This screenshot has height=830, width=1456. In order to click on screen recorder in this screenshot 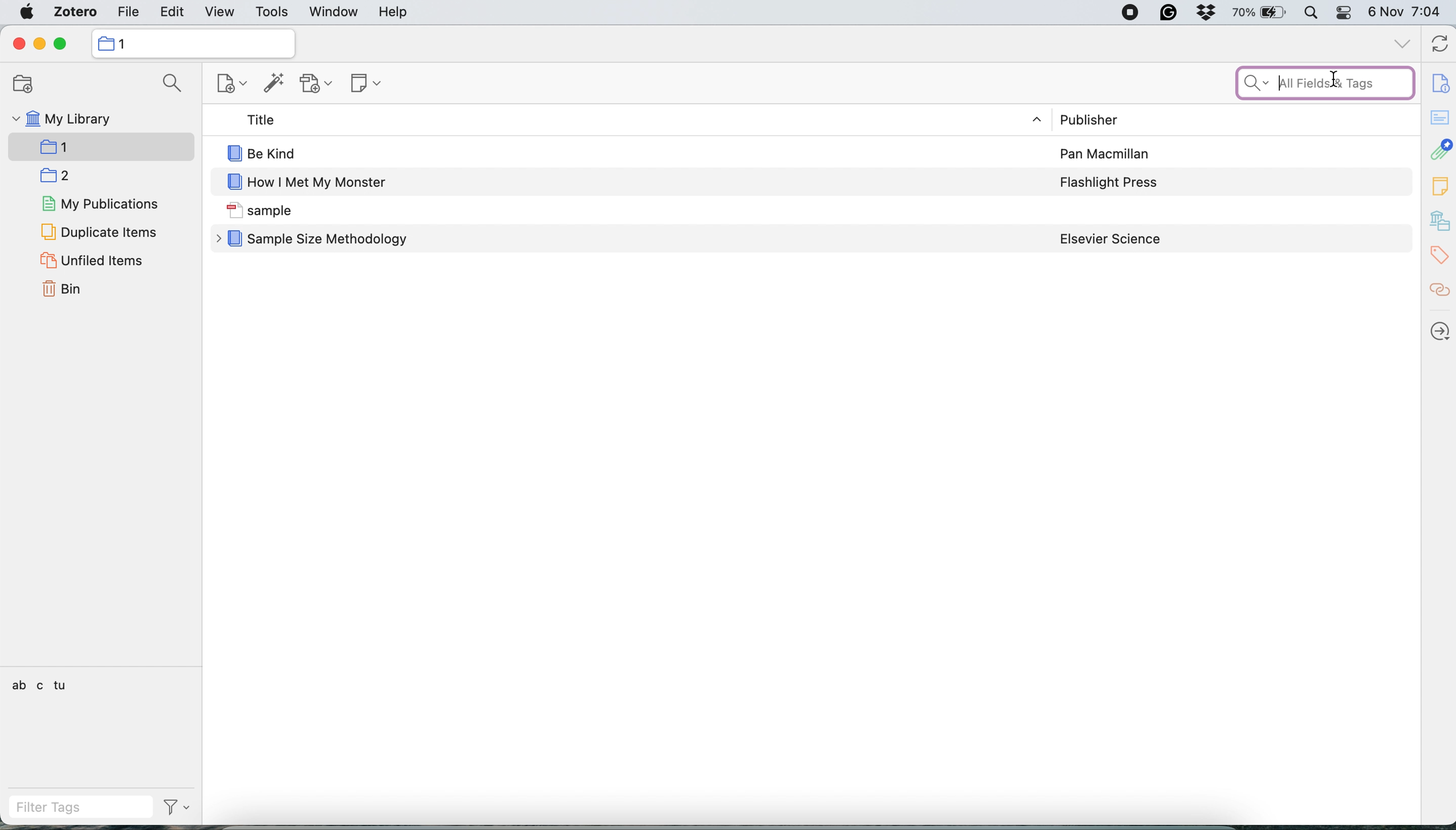, I will do `click(1129, 13)`.